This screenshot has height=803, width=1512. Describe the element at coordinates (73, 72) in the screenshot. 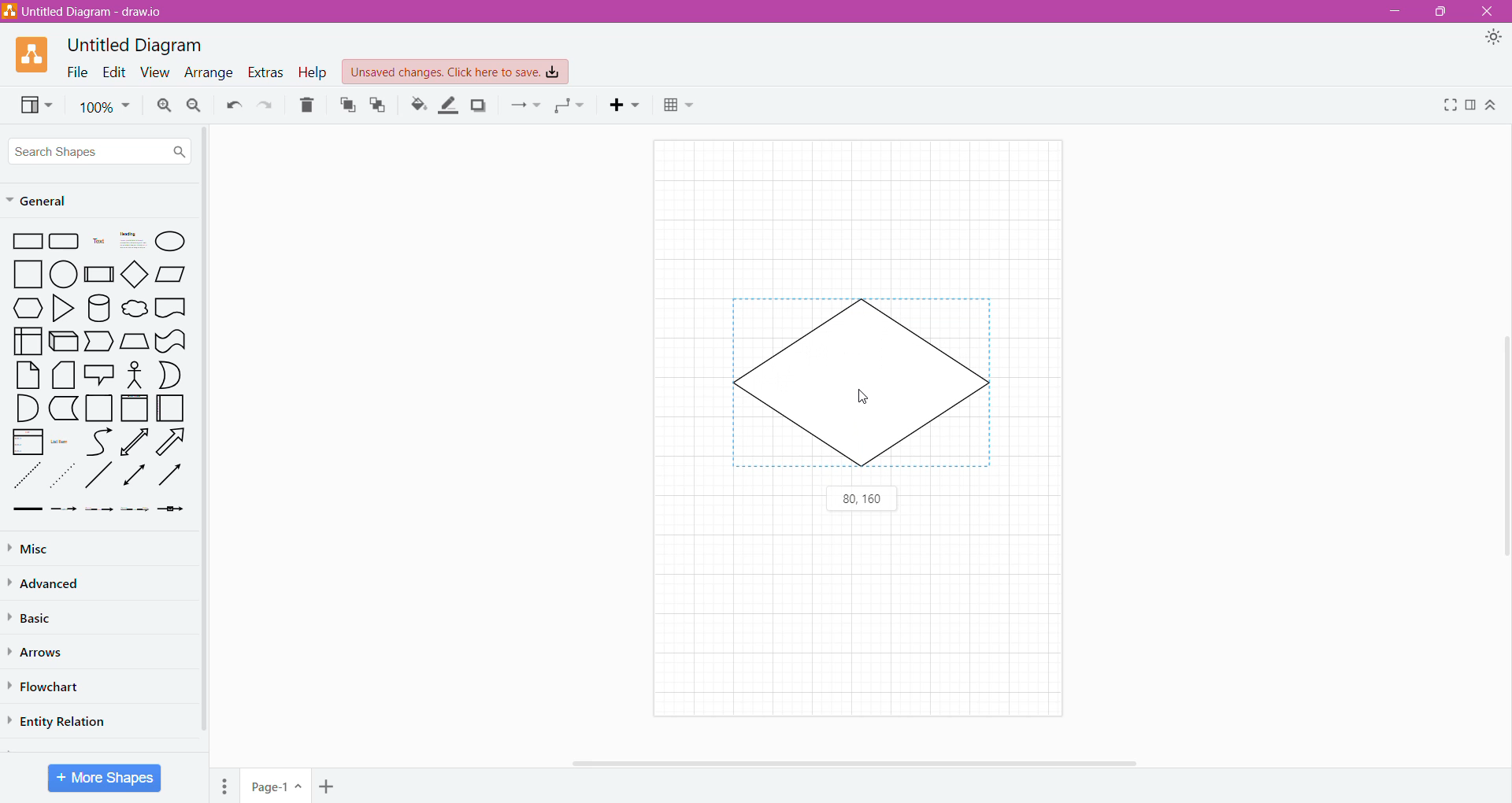

I see `File` at that location.